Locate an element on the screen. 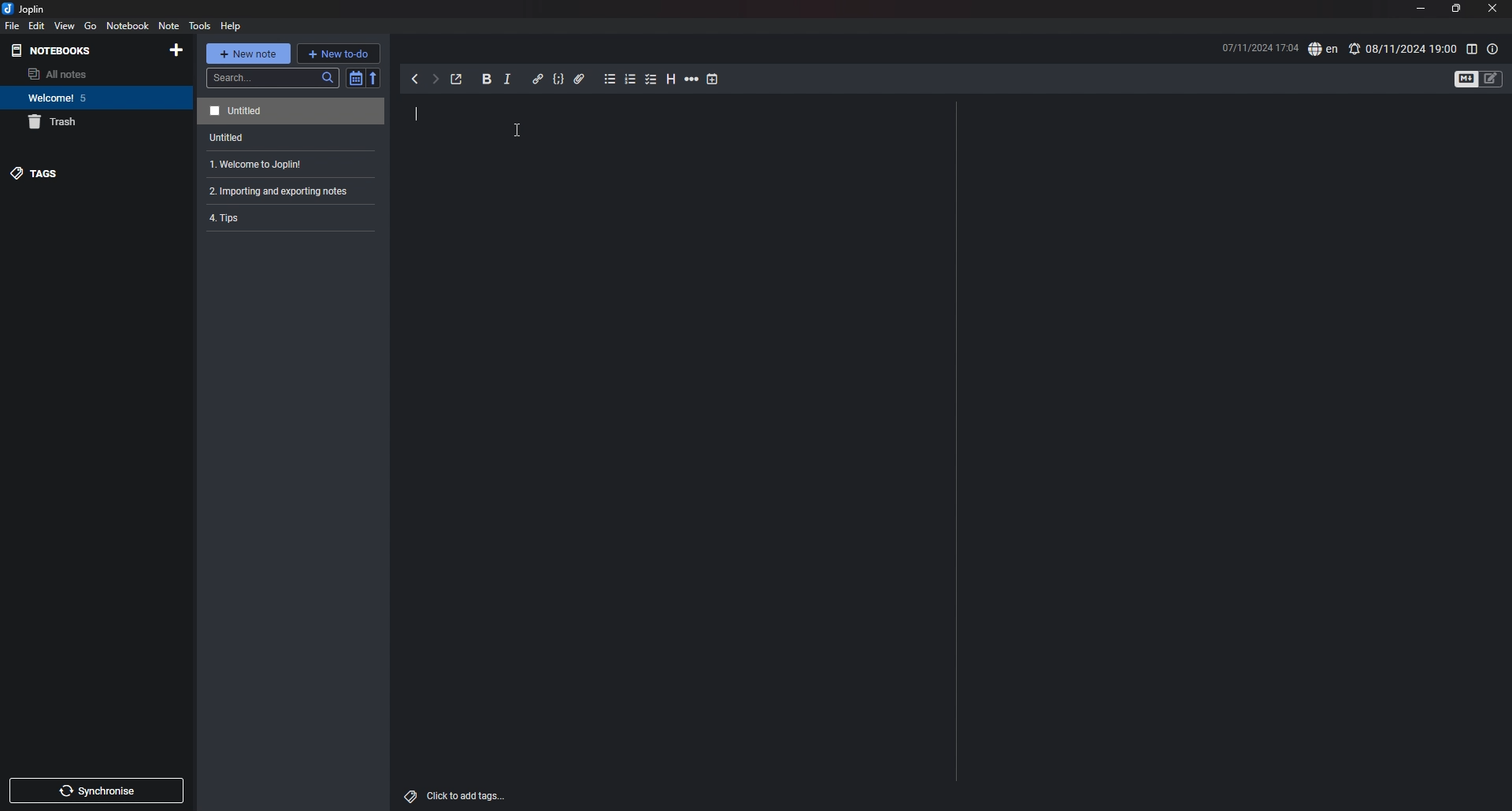 This screenshot has height=811, width=1512. checkbox is located at coordinates (652, 80).